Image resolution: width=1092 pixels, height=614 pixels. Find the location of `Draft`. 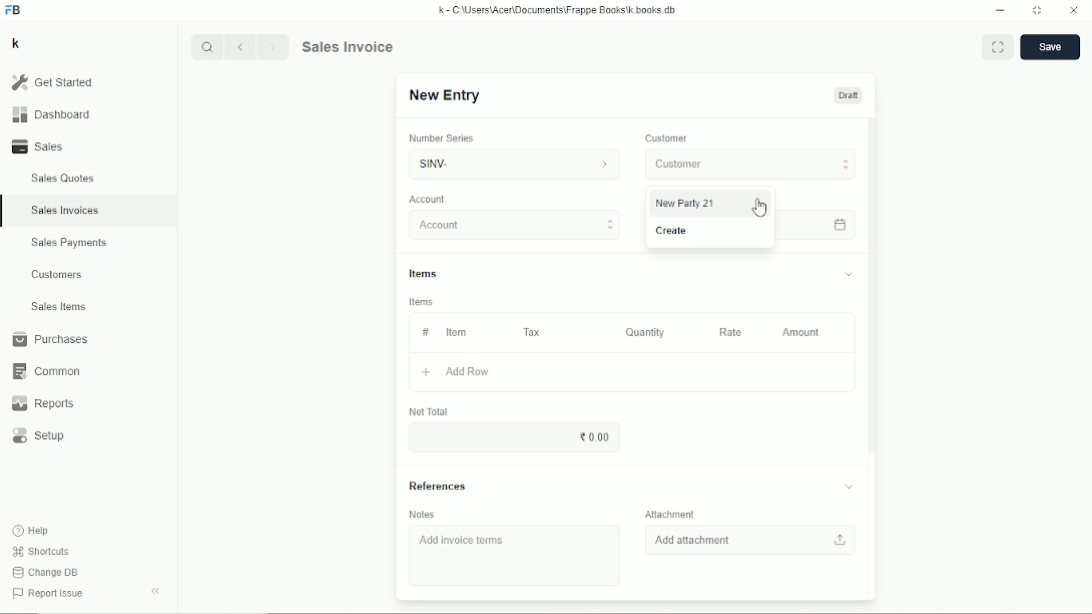

Draft is located at coordinates (848, 95).